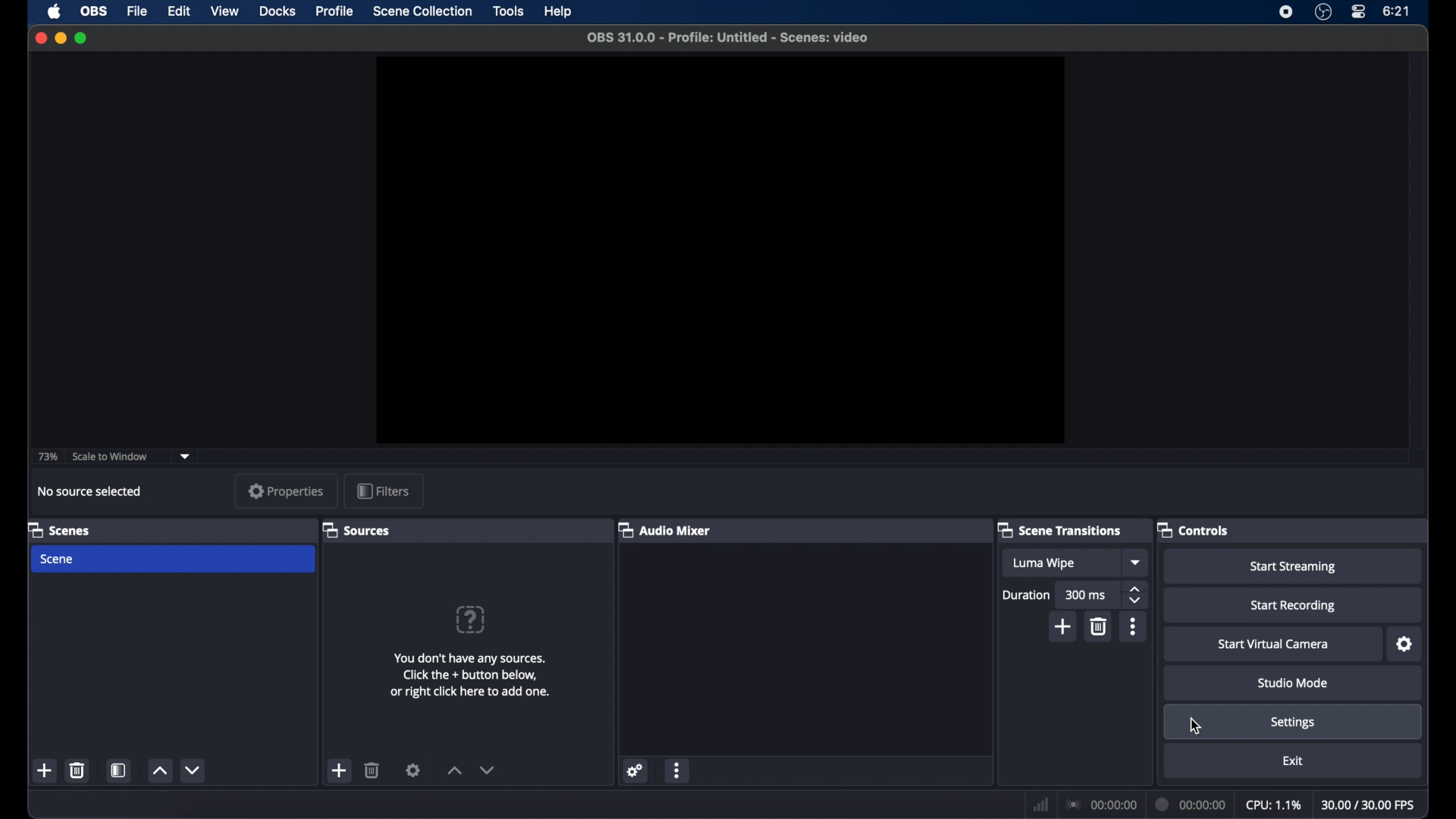 This screenshot has width=1456, height=819. Describe the element at coordinates (40, 37) in the screenshot. I see `close` at that location.